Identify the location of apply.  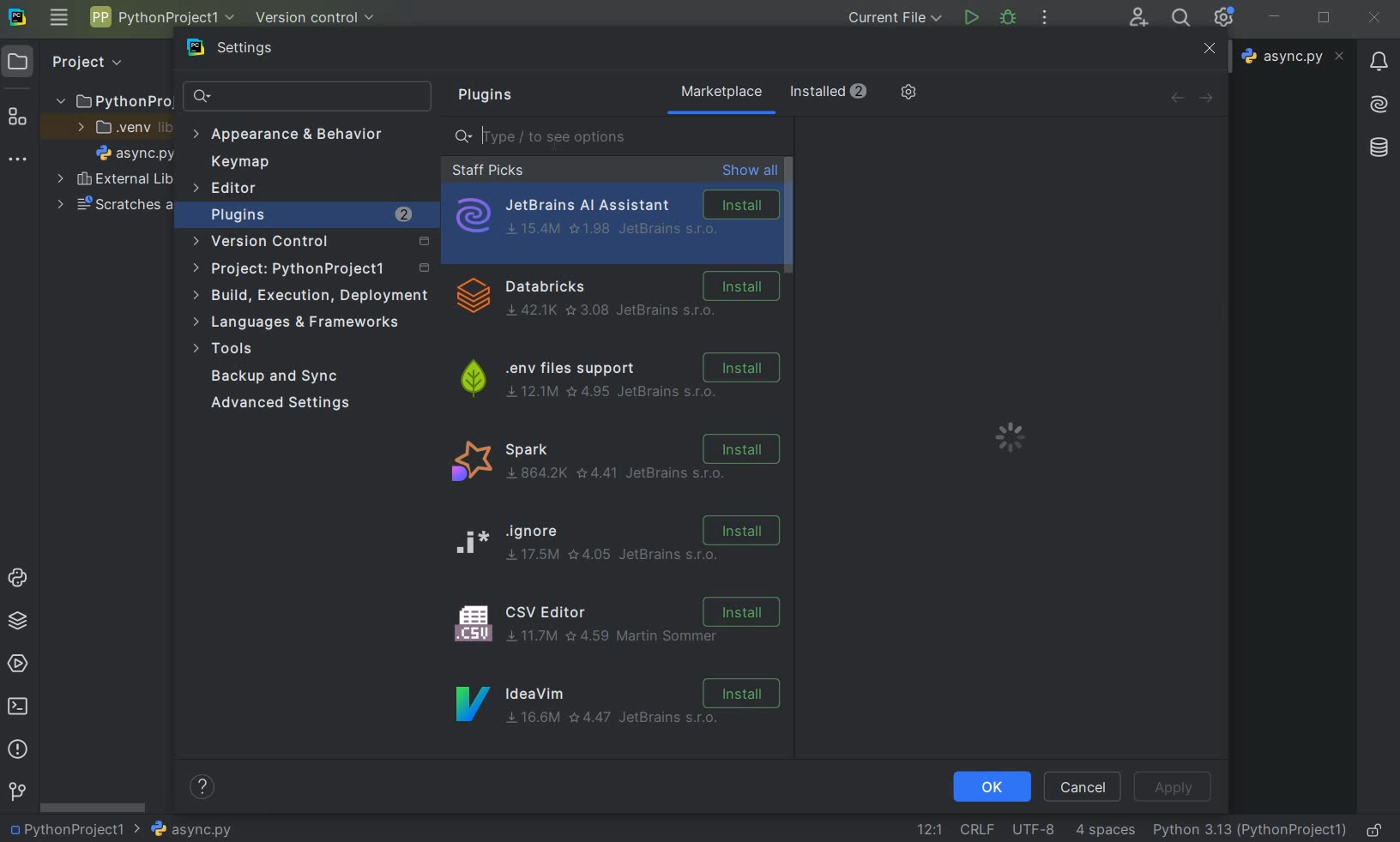
(1176, 785).